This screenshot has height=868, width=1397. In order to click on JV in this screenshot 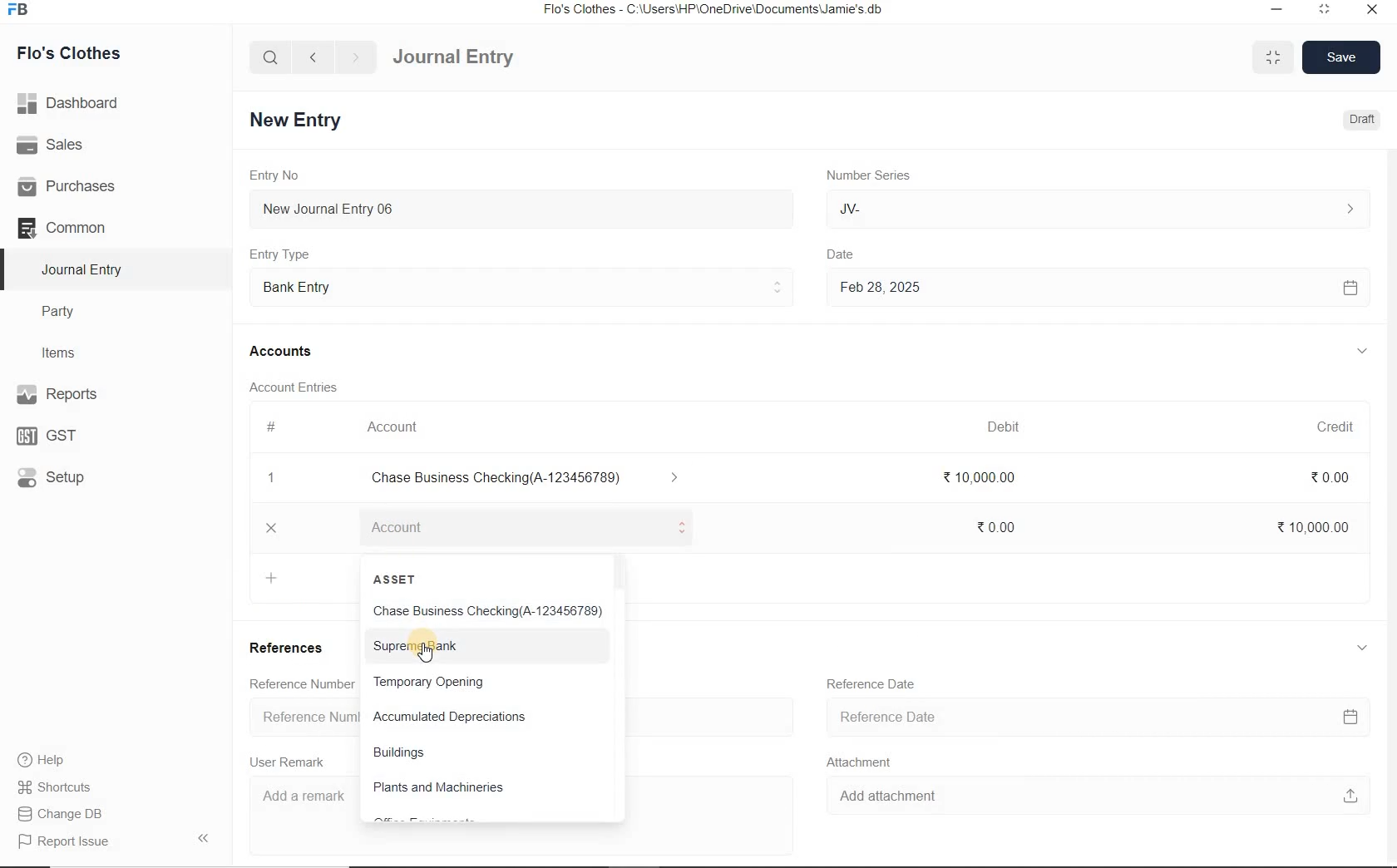, I will do `click(1097, 209)`.